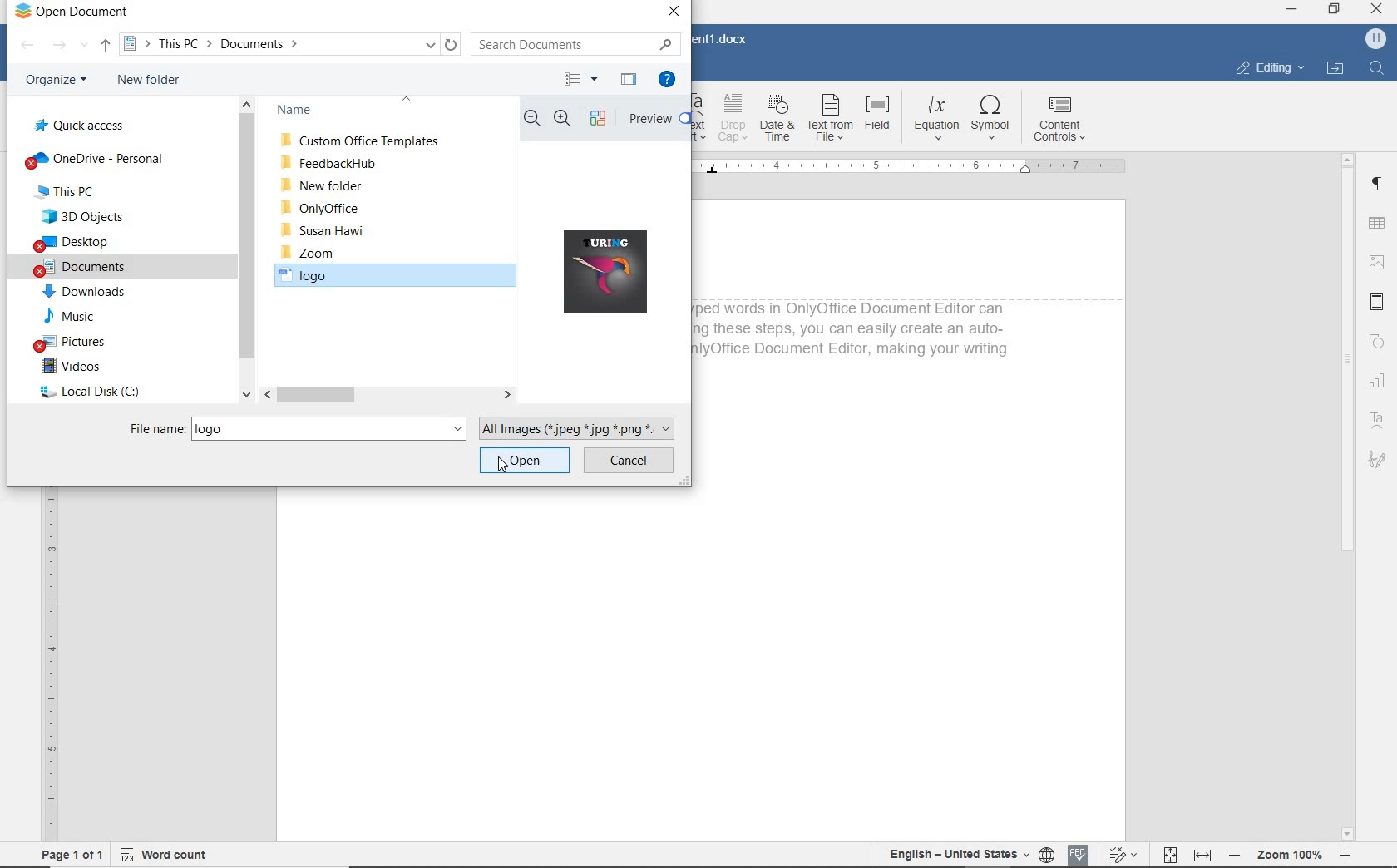  I want to click on Profile, so click(1375, 39).